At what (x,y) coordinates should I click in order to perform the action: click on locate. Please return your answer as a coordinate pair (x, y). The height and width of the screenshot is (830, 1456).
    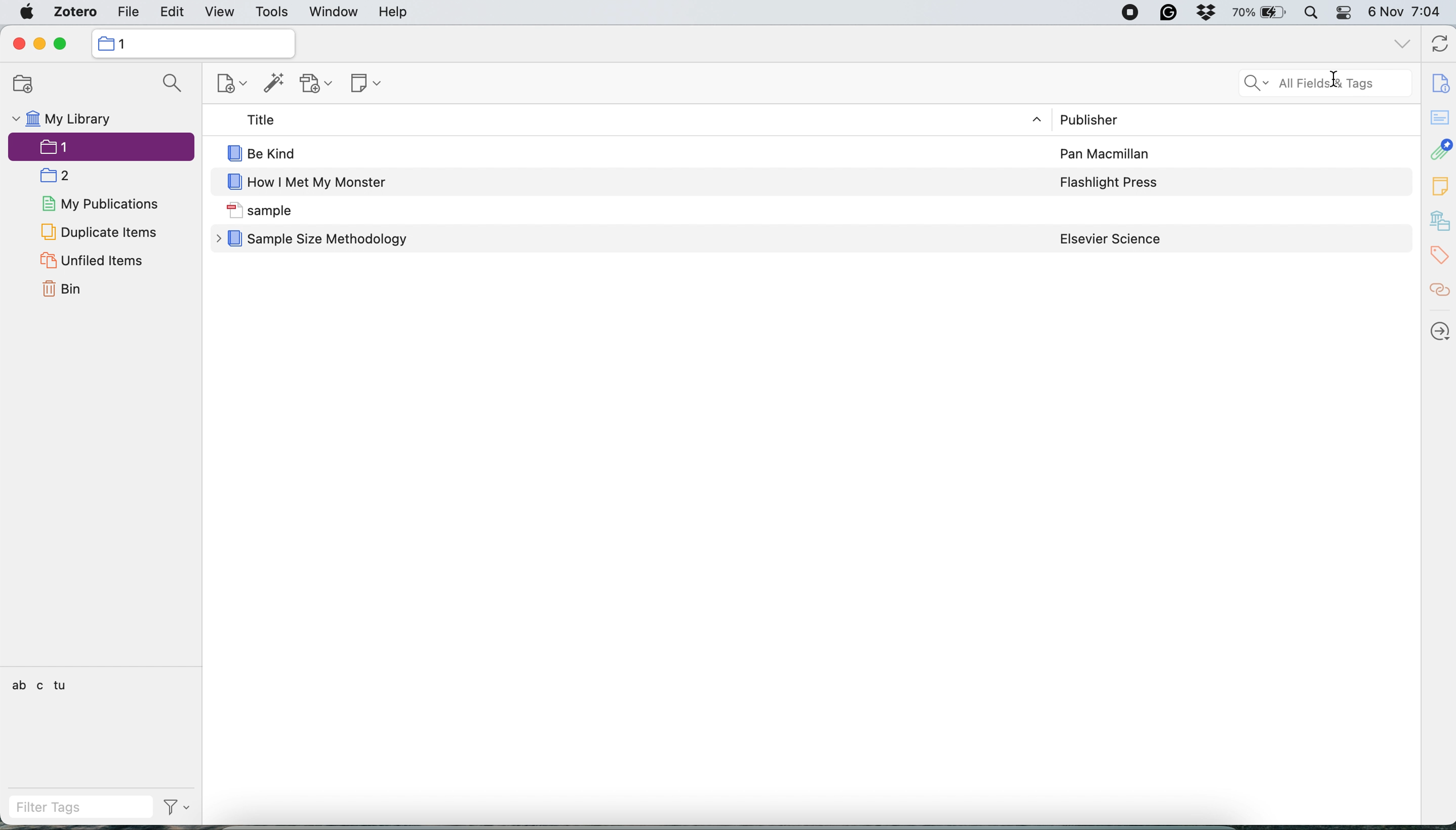
    Looking at the image, I should click on (1439, 333).